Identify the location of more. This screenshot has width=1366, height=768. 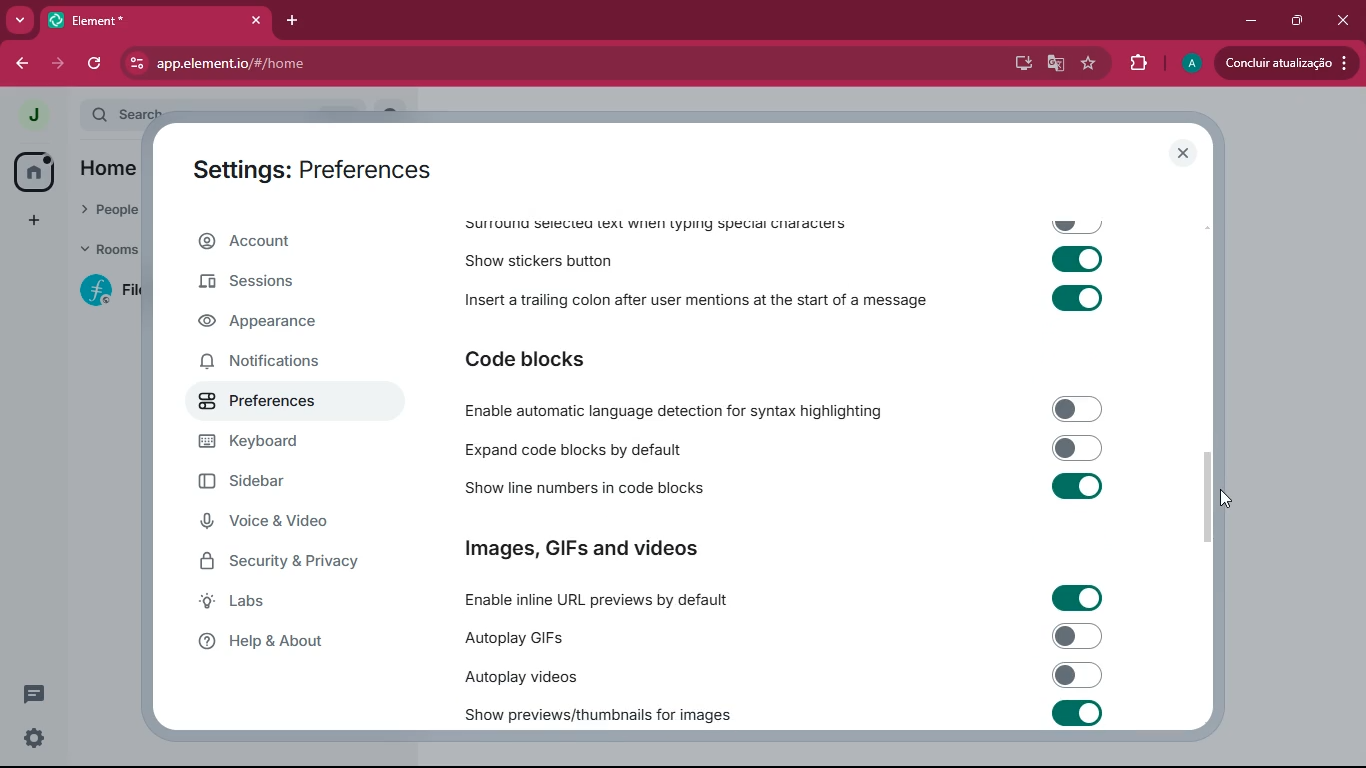
(19, 20).